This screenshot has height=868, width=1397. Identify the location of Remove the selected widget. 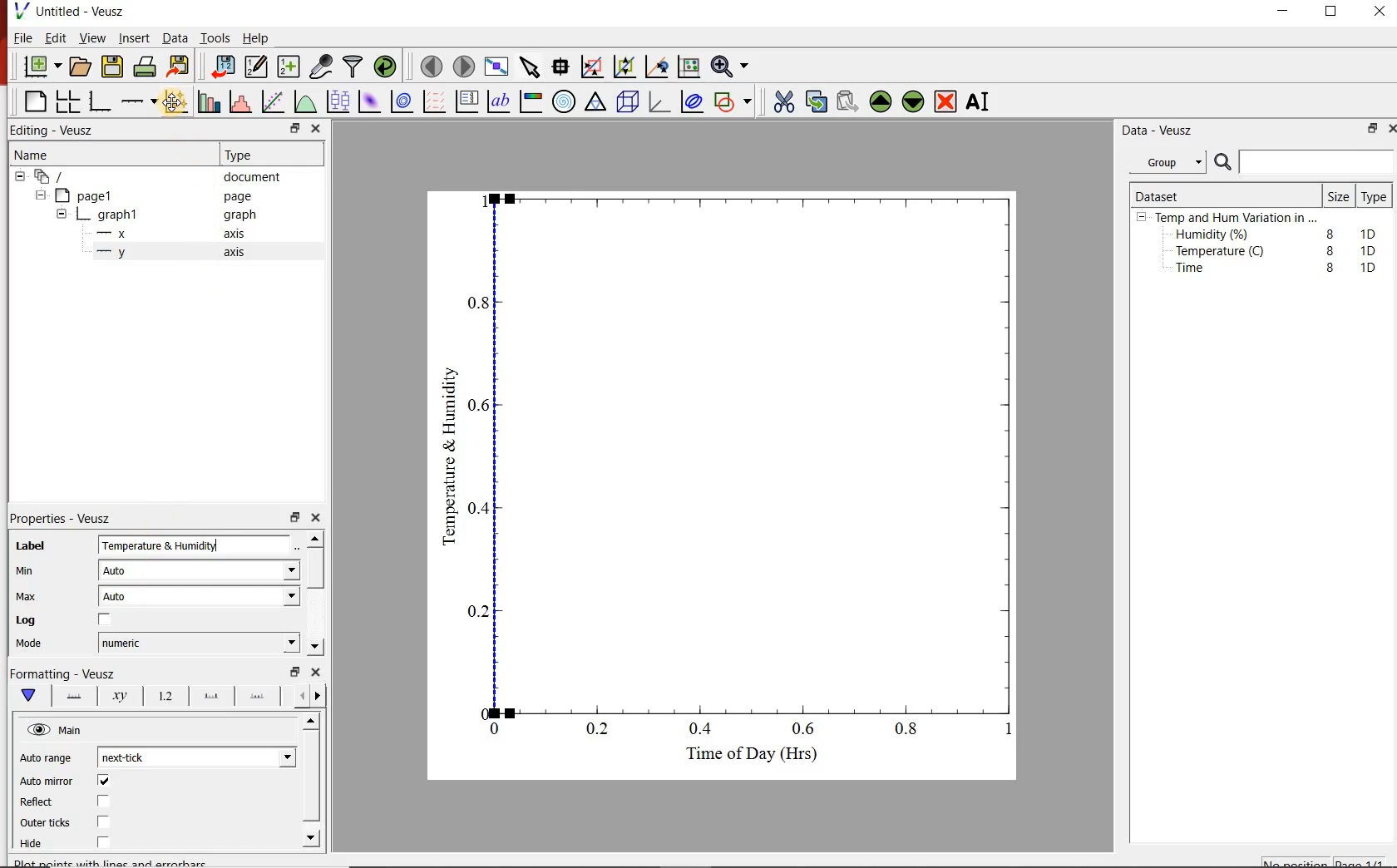
(947, 101).